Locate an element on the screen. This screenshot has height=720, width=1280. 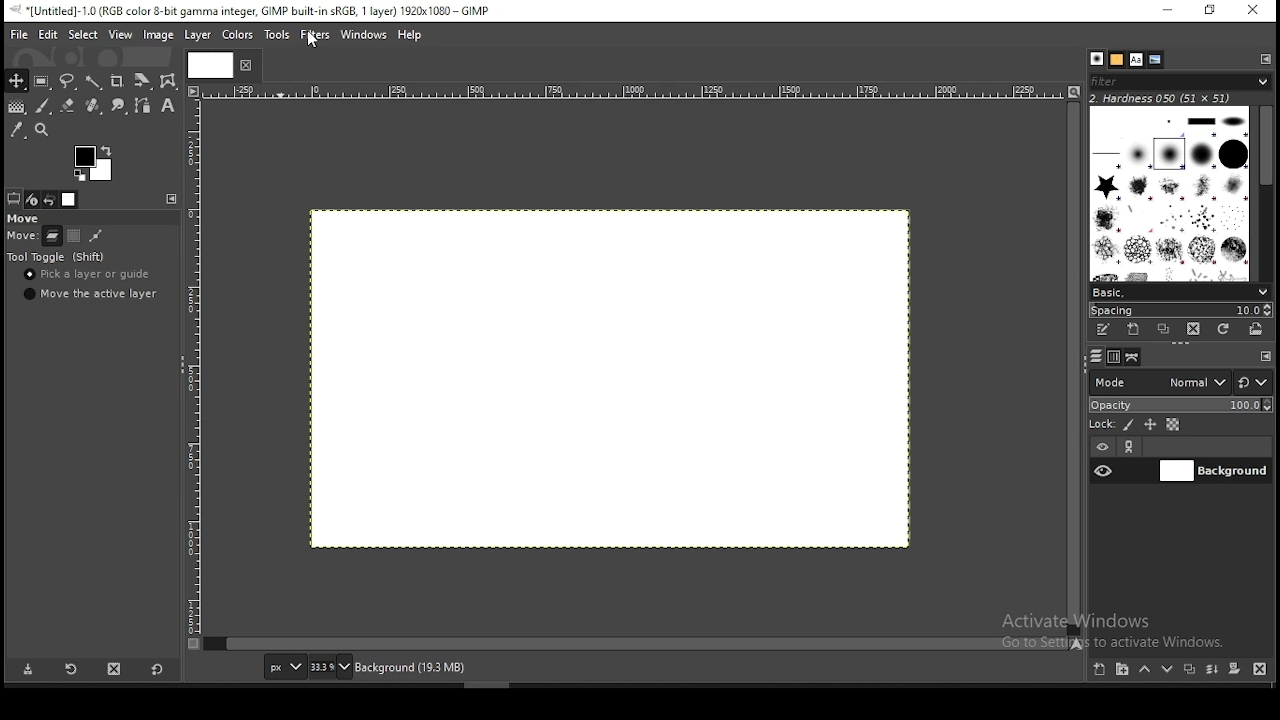
undo history is located at coordinates (50, 200).